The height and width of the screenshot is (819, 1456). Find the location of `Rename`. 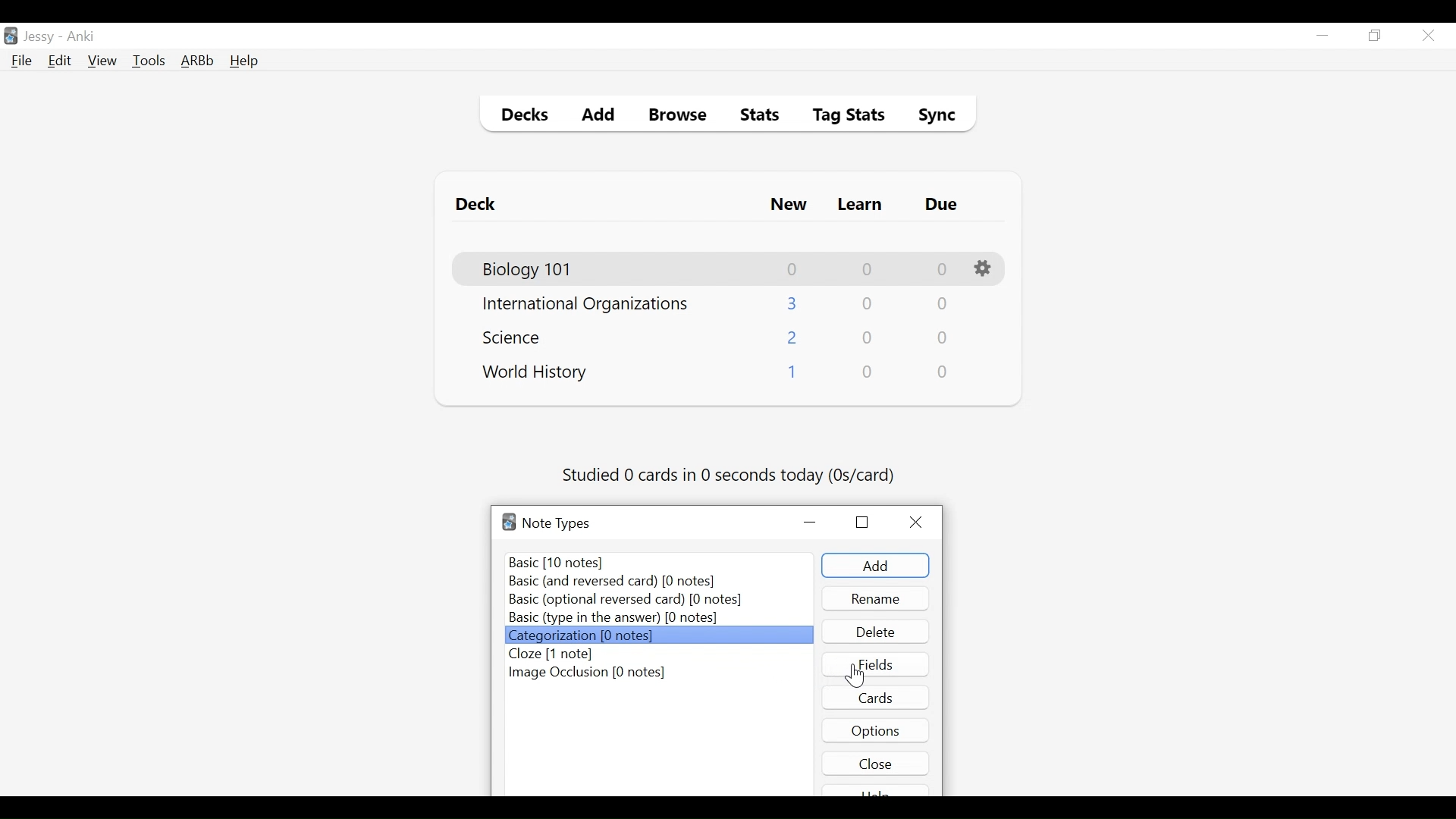

Rename is located at coordinates (876, 598).